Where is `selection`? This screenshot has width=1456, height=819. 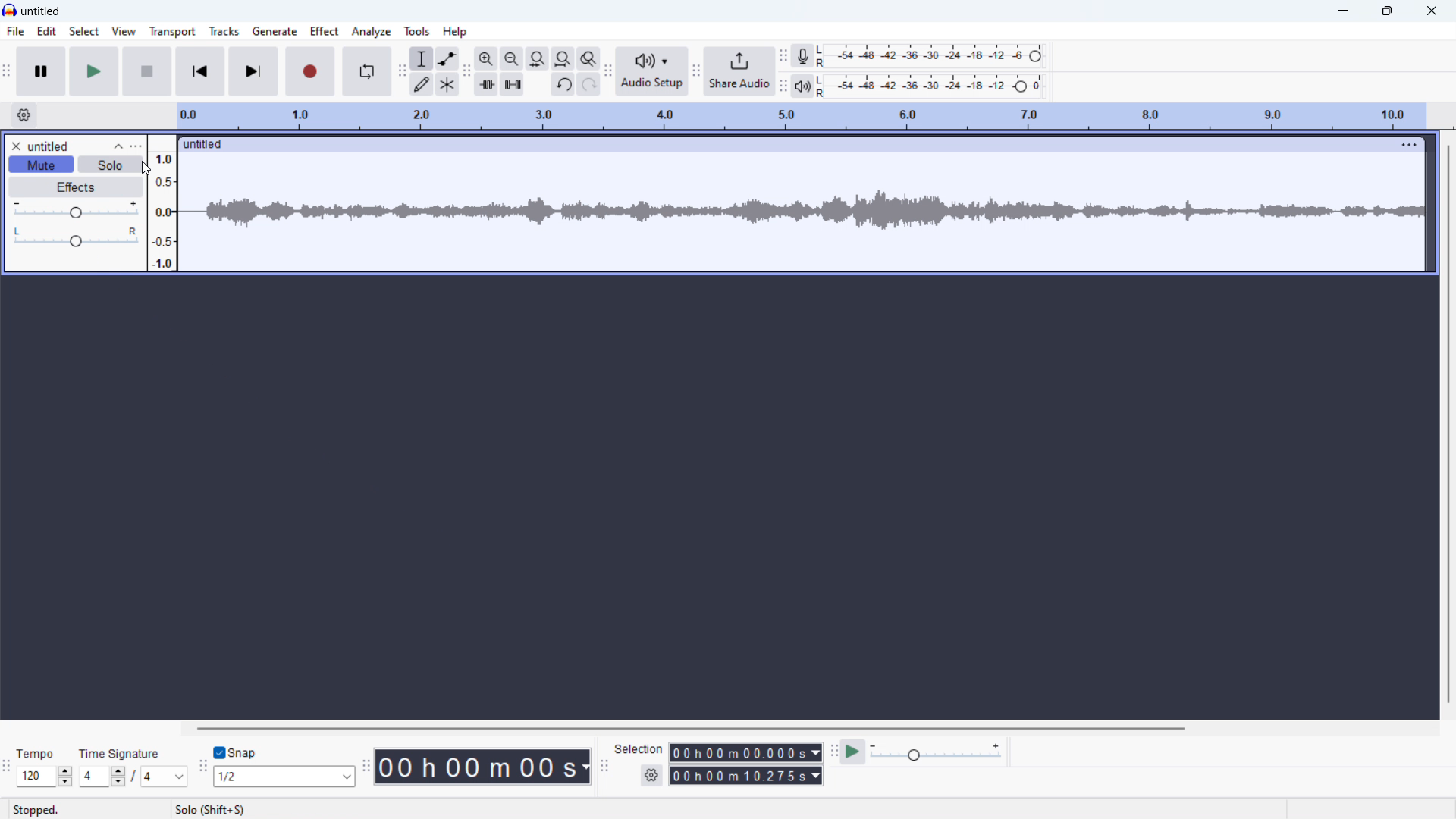
selection is located at coordinates (639, 748).